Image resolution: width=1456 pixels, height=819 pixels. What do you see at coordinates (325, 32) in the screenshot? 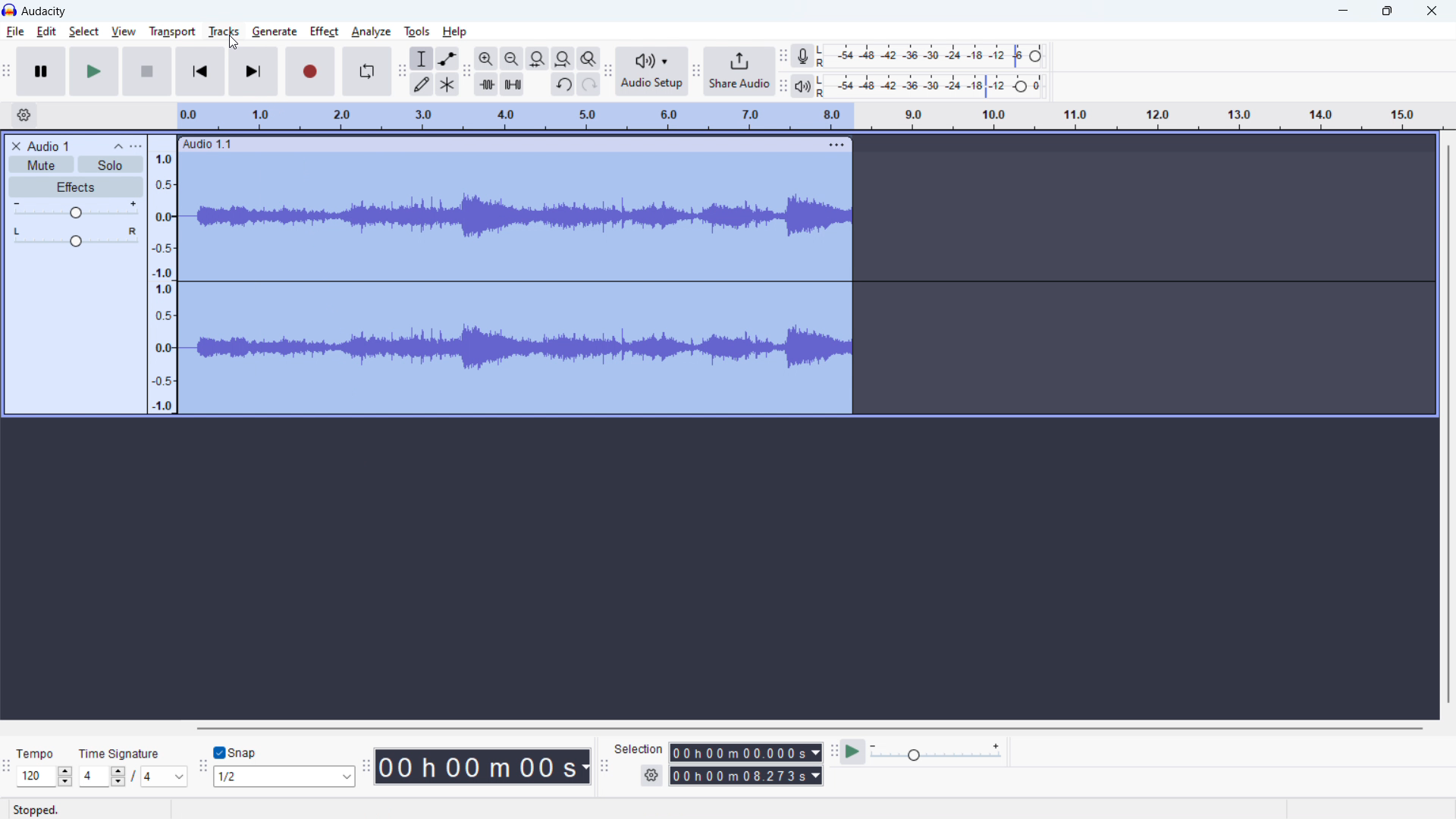
I see `effect` at bounding box center [325, 32].